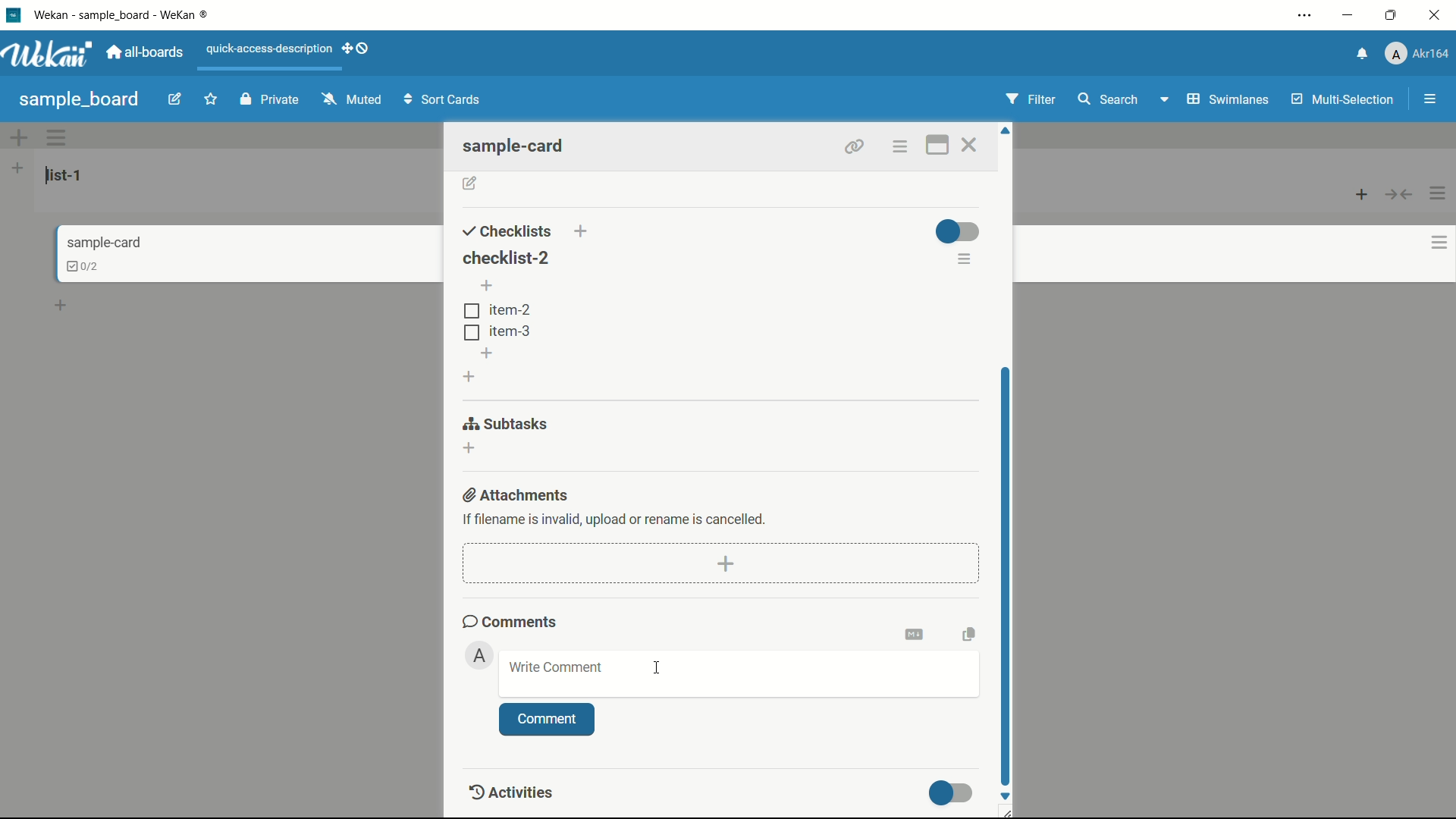 This screenshot has height=819, width=1456. Describe the element at coordinates (1032, 99) in the screenshot. I see `filter` at that location.